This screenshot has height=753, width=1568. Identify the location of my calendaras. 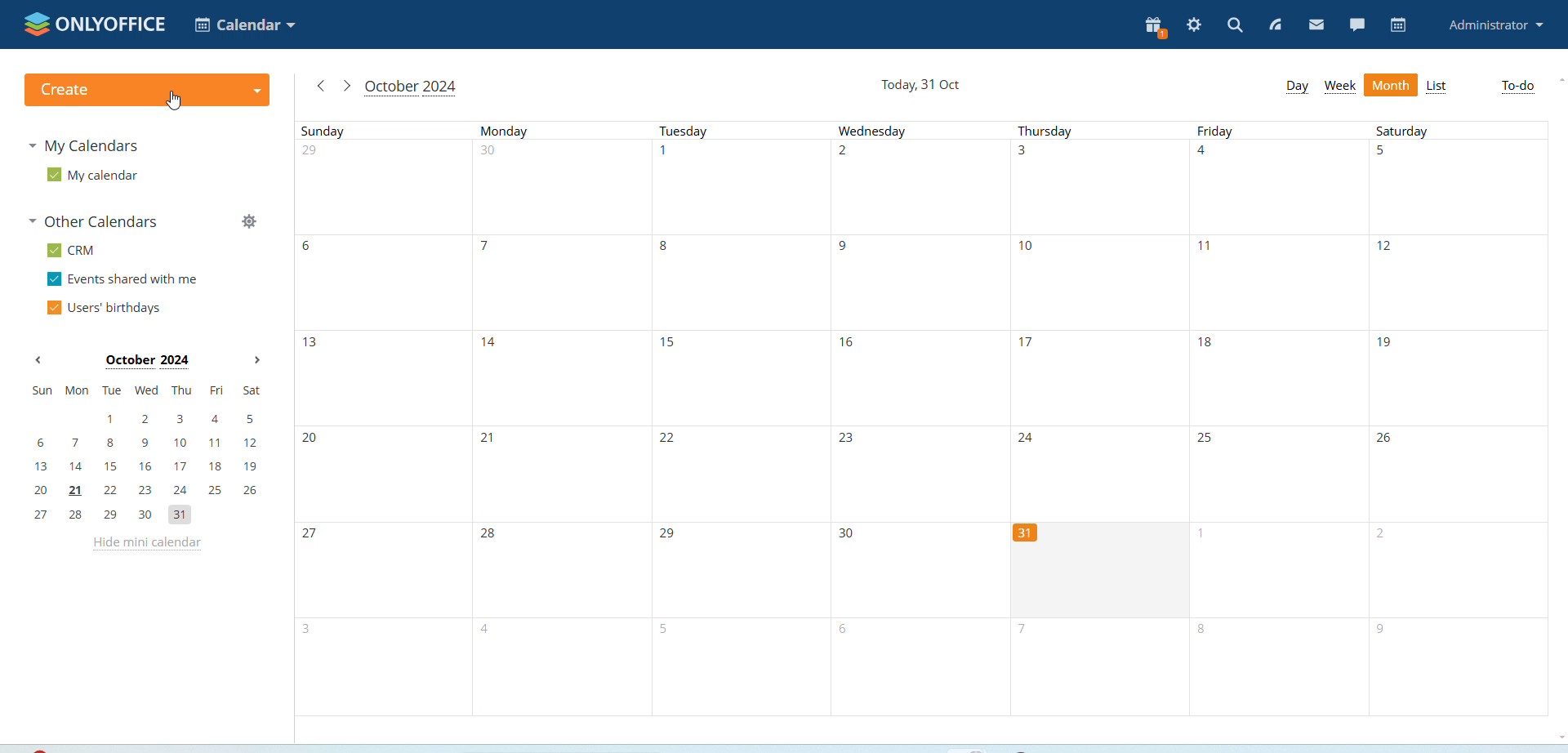
(83, 146).